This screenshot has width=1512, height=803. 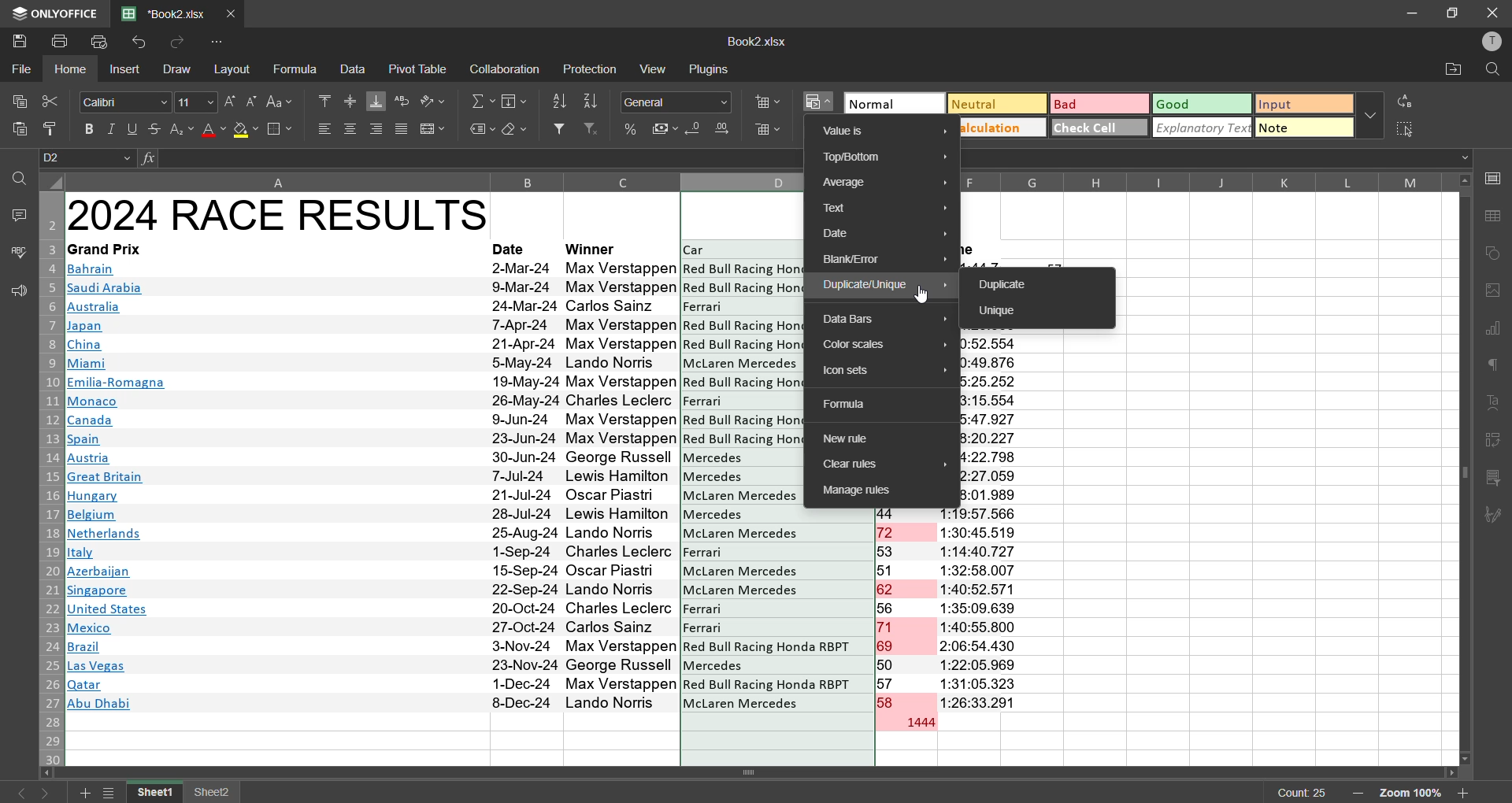 What do you see at coordinates (56, 129) in the screenshot?
I see `copy style` at bounding box center [56, 129].